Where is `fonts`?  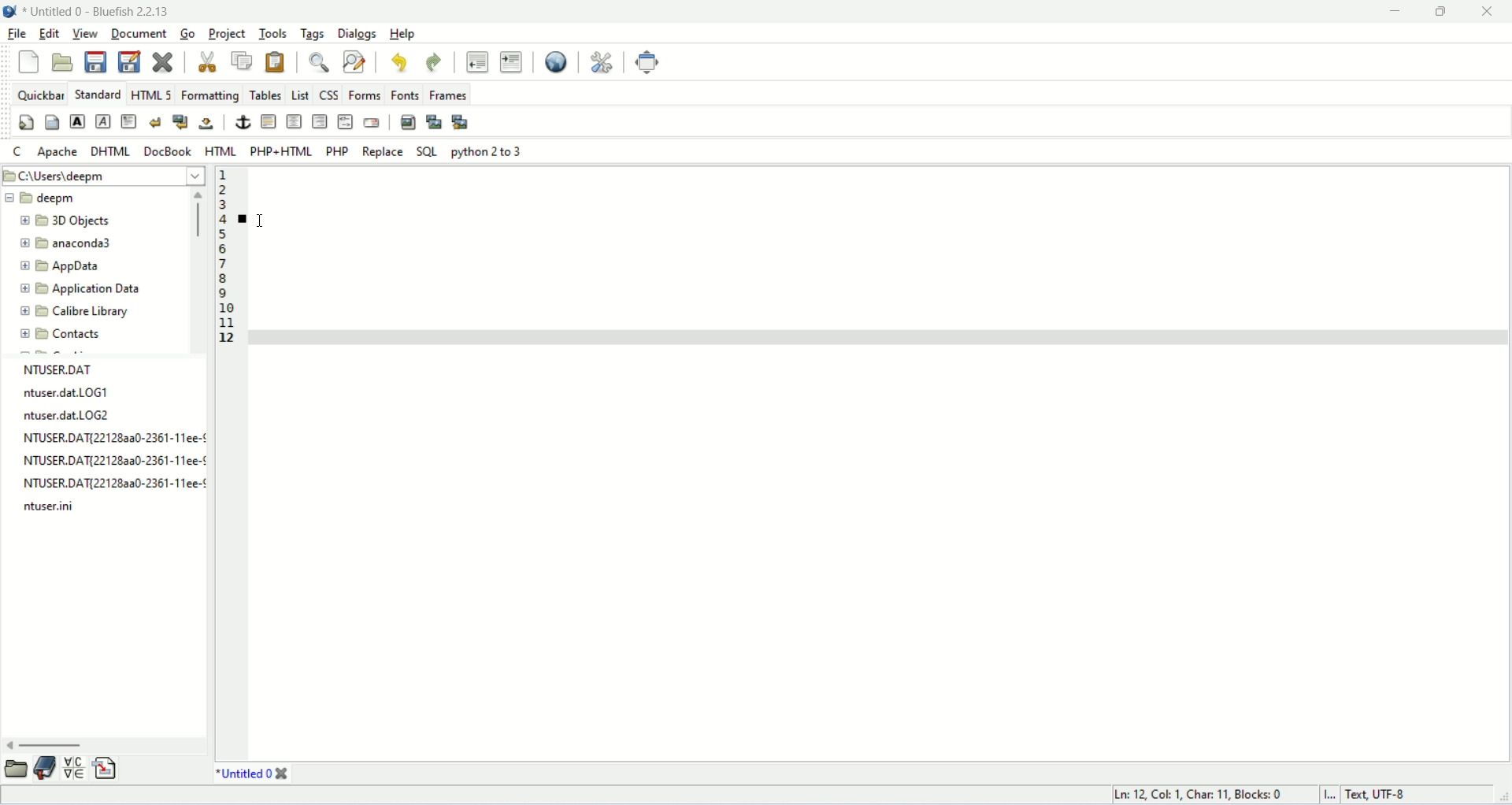
fonts is located at coordinates (406, 95).